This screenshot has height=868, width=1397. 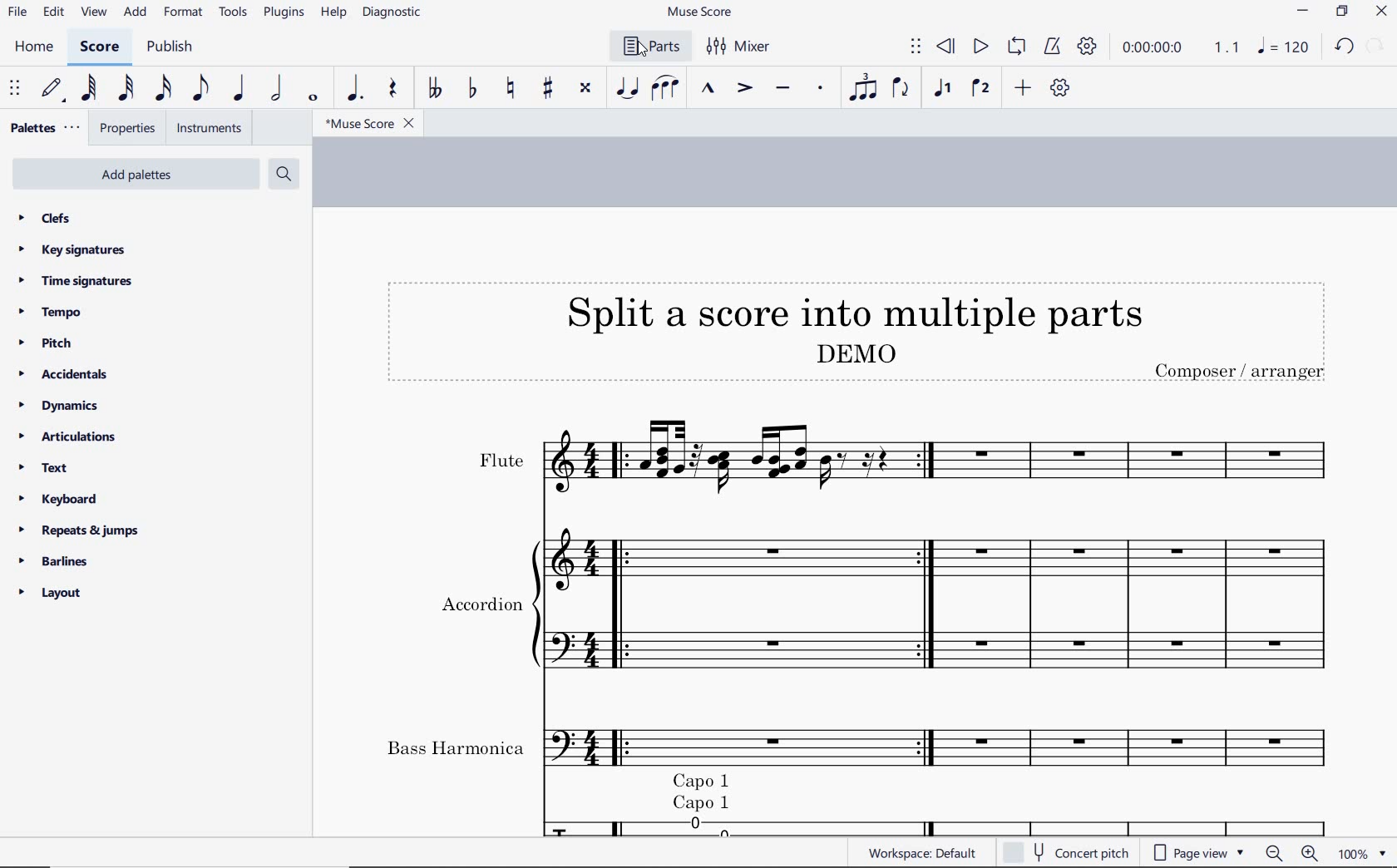 What do you see at coordinates (745, 89) in the screenshot?
I see `accent` at bounding box center [745, 89].